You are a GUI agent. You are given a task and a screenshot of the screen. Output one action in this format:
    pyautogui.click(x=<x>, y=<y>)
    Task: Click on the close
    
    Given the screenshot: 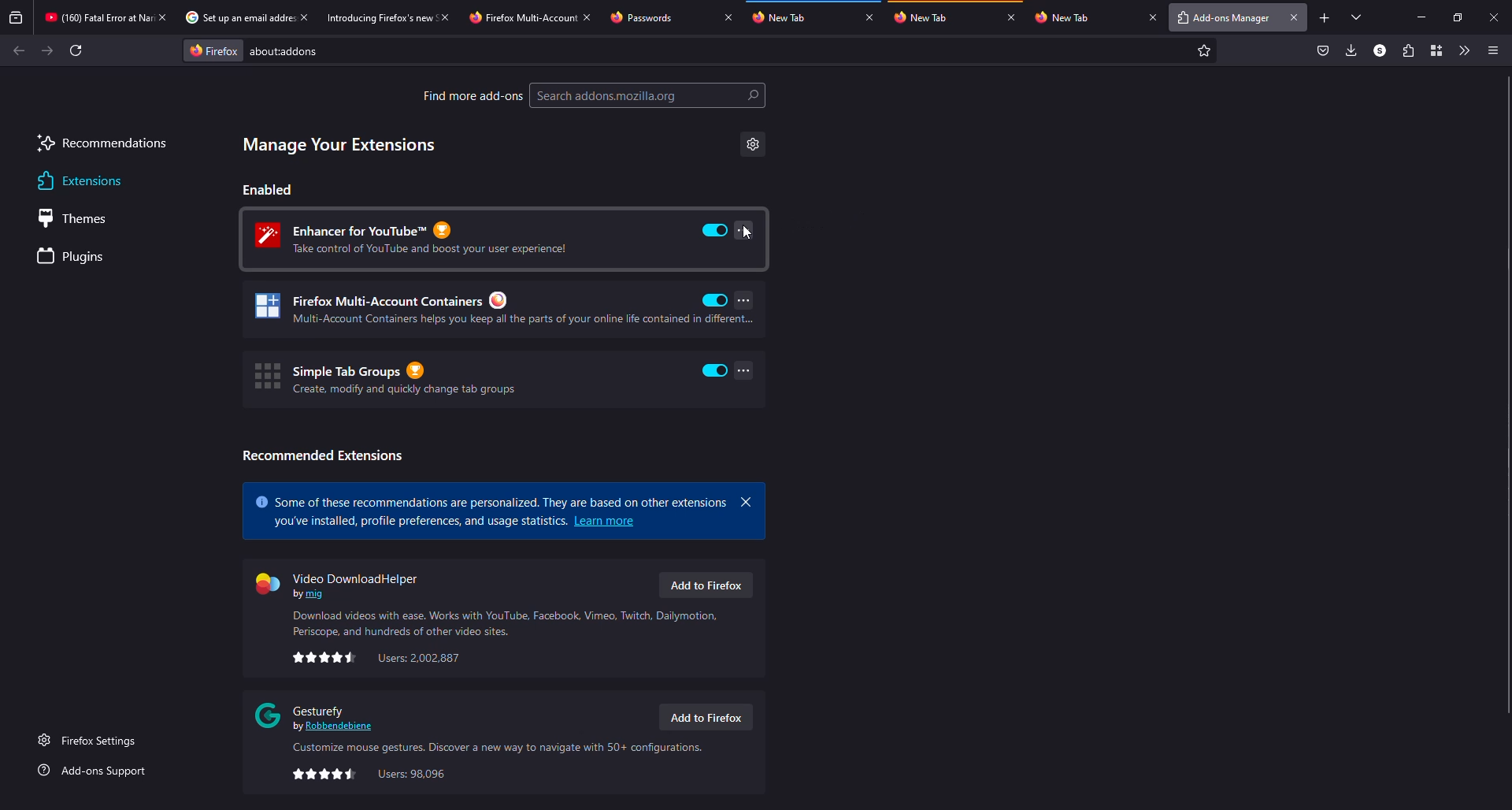 What is the action you would take?
    pyautogui.click(x=1495, y=18)
    